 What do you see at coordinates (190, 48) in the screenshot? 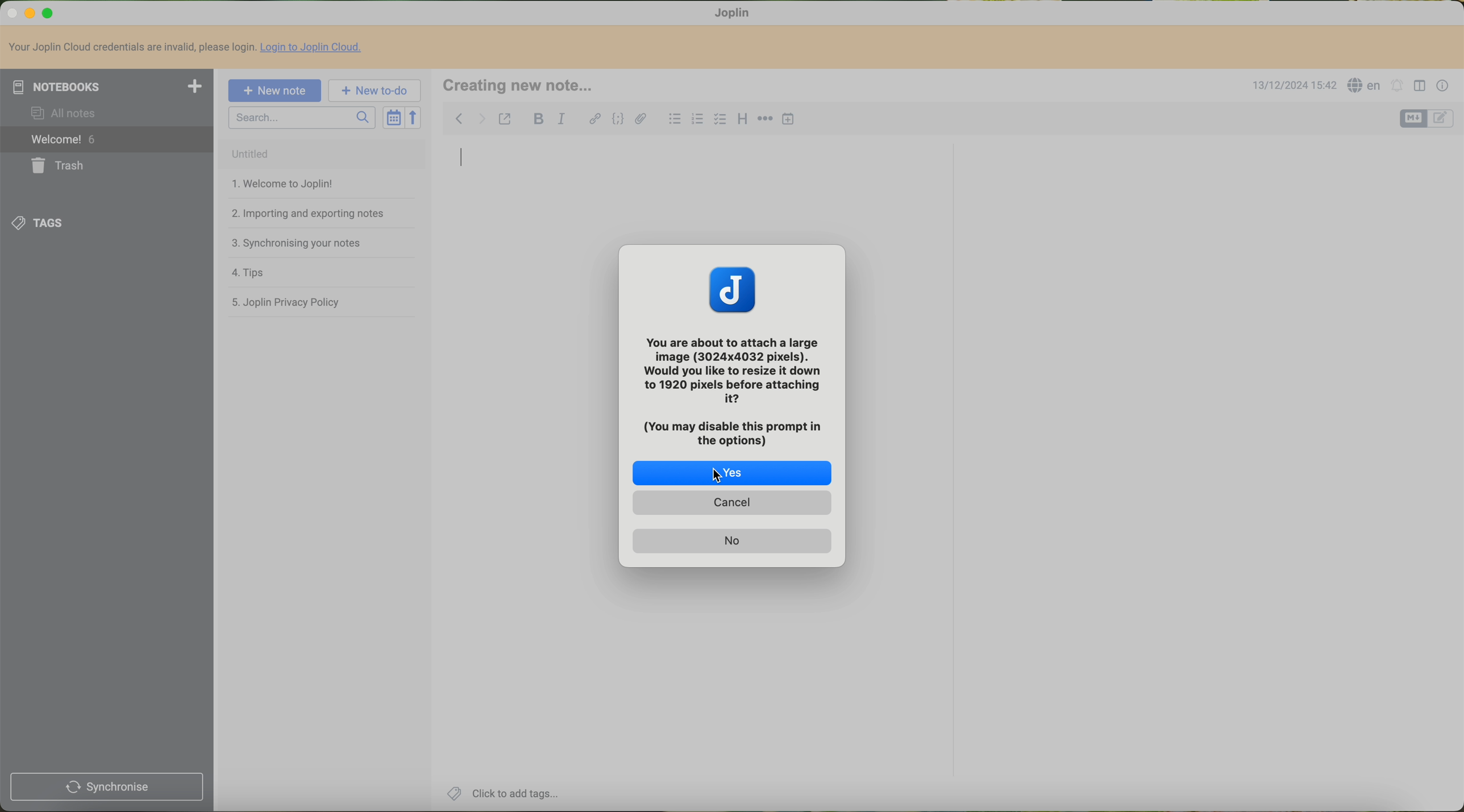
I see `Your Joplin Cloud credentials are invalid, please login. Login to Joplin Cloud` at bounding box center [190, 48].